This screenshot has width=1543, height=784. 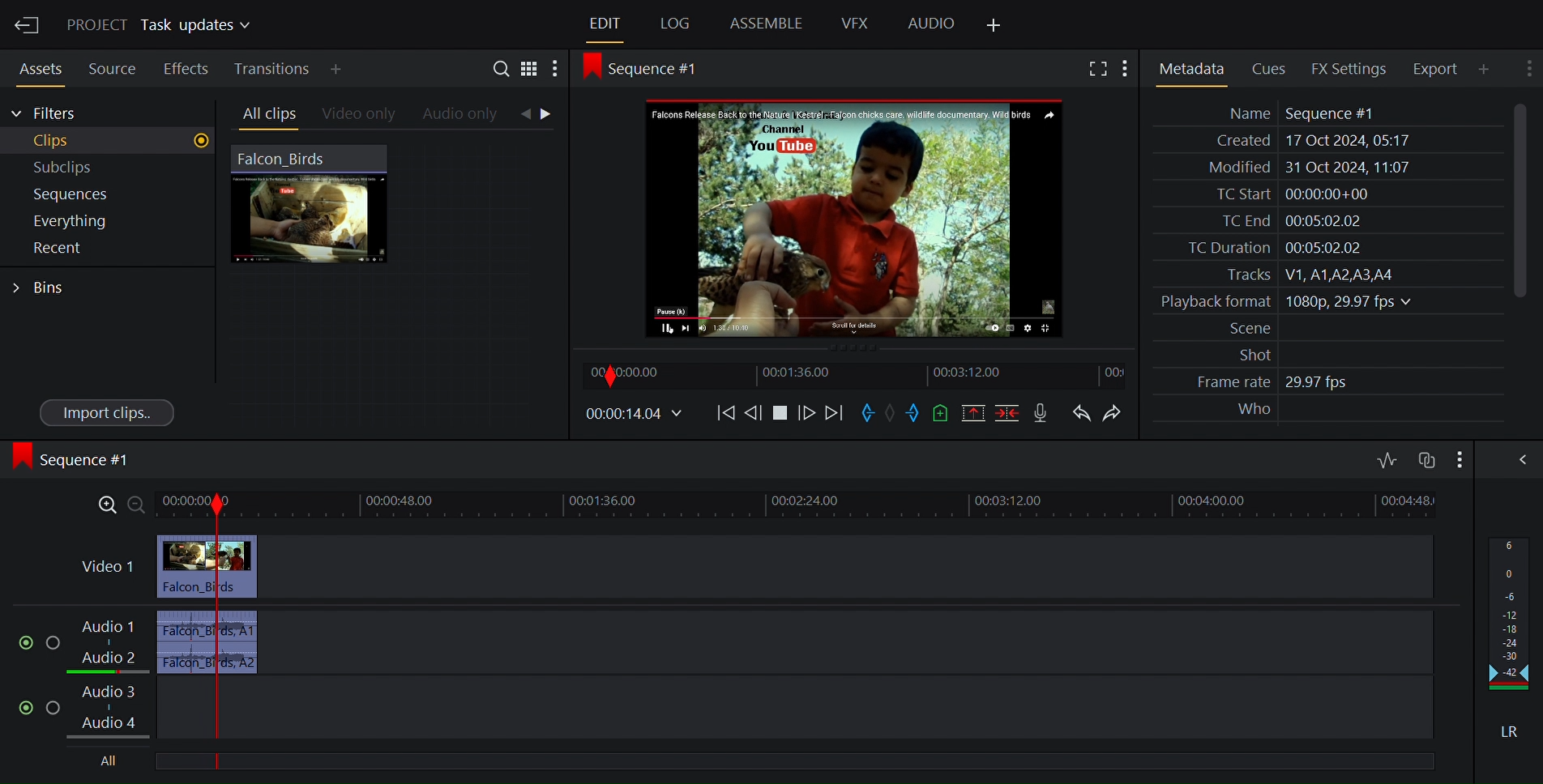 What do you see at coordinates (158, 26) in the screenshot?
I see `Project Task updates` at bounding box center [158, 26].